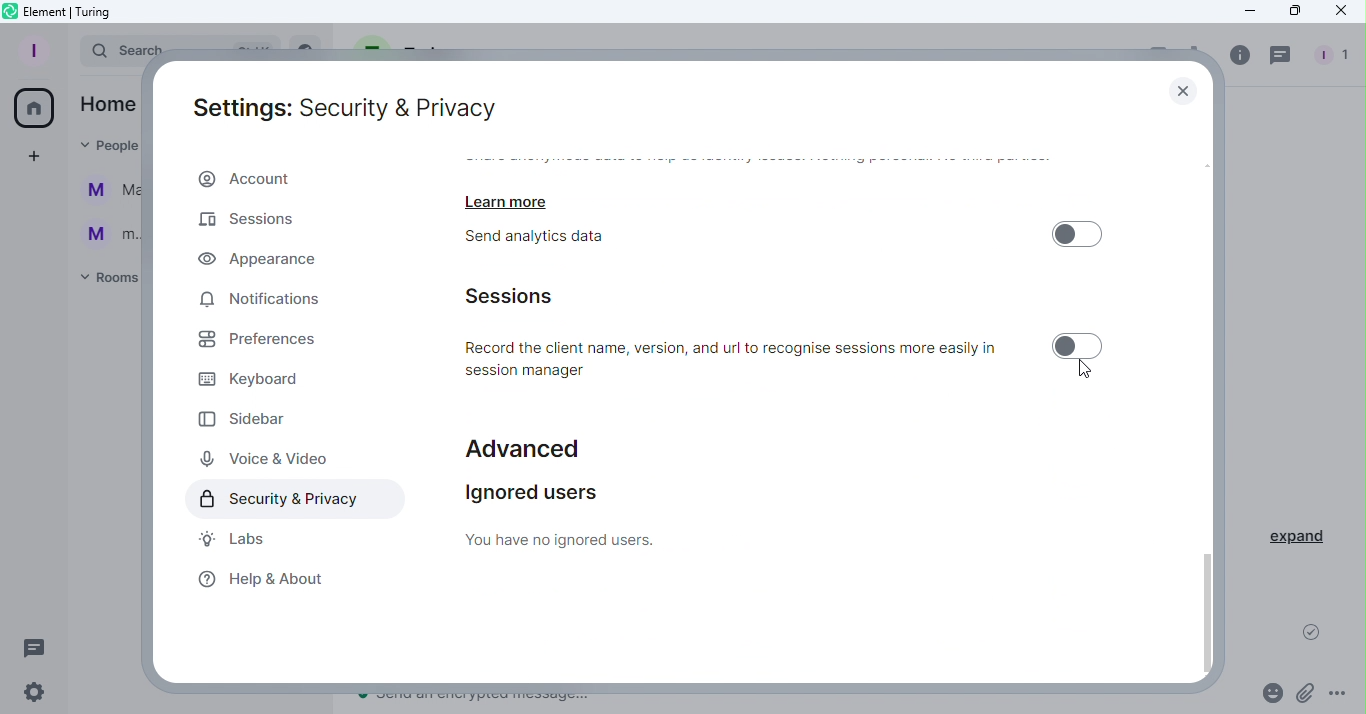 The width and height of the screenshot is (1366, 714). Describe the element at coordinates (737, 357) in the screenshot. I see `Record the client name, version, and url to recognise sessions more easily in session manager` at that location.